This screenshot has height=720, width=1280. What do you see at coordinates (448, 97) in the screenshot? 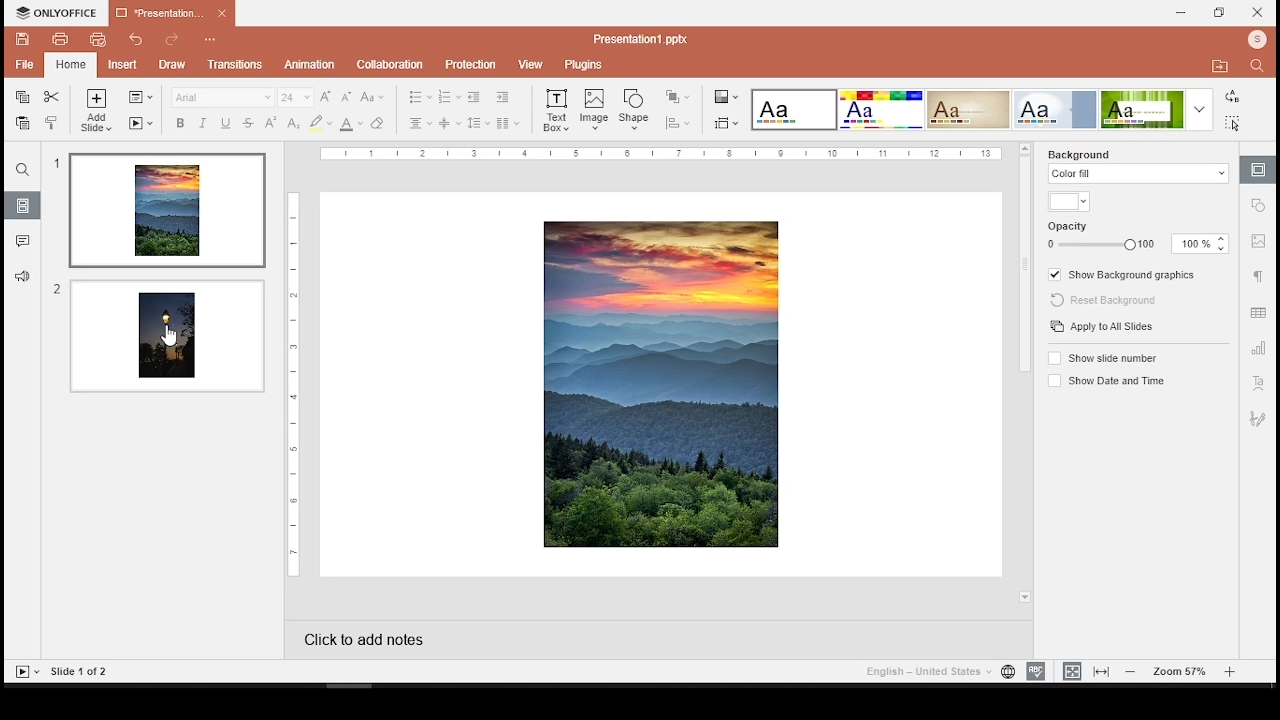
I see `numbering` at bounding box center [448, 97].